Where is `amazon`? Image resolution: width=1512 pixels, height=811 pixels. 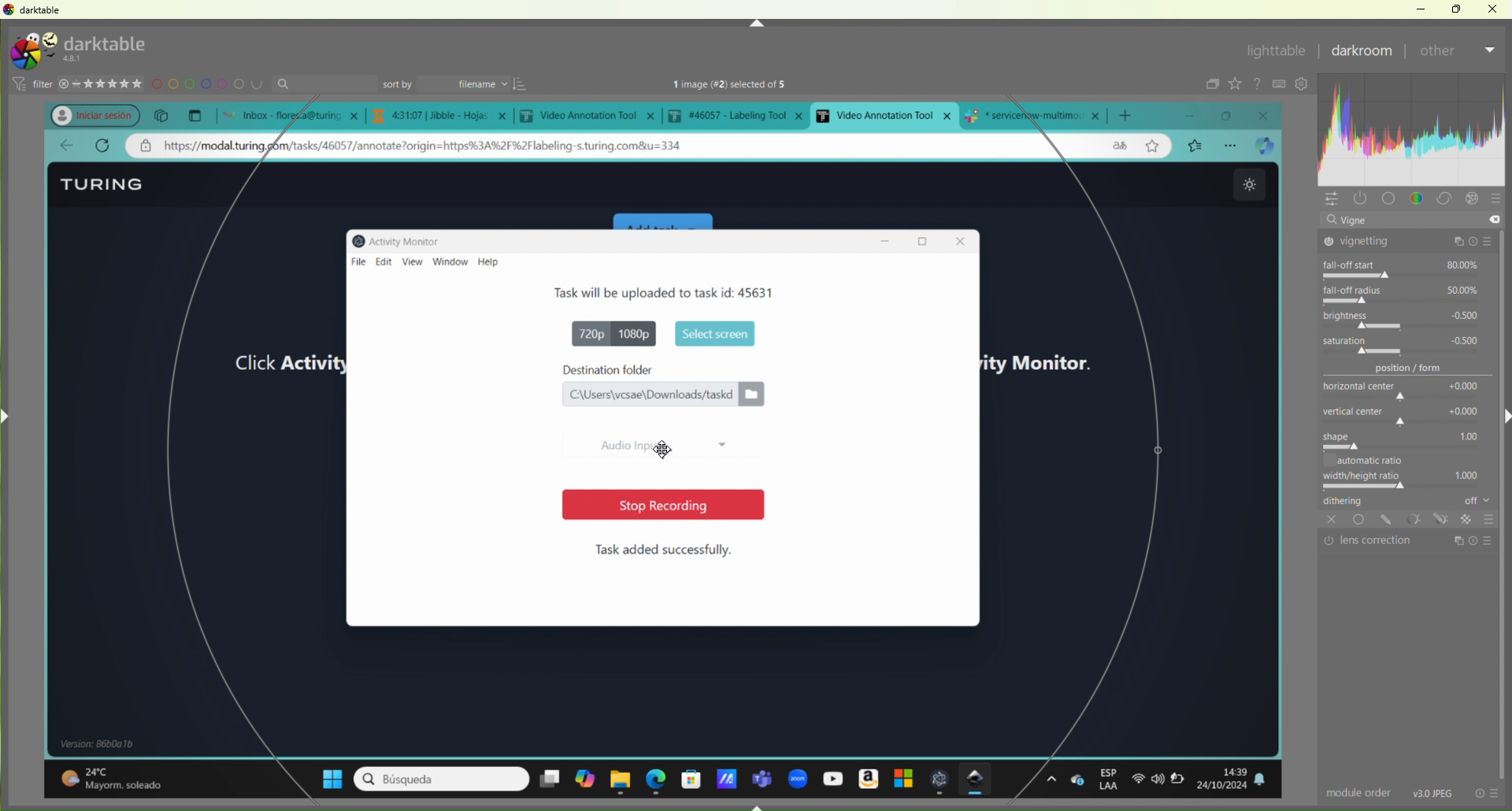 amazon is located at coordinates (866, 777).